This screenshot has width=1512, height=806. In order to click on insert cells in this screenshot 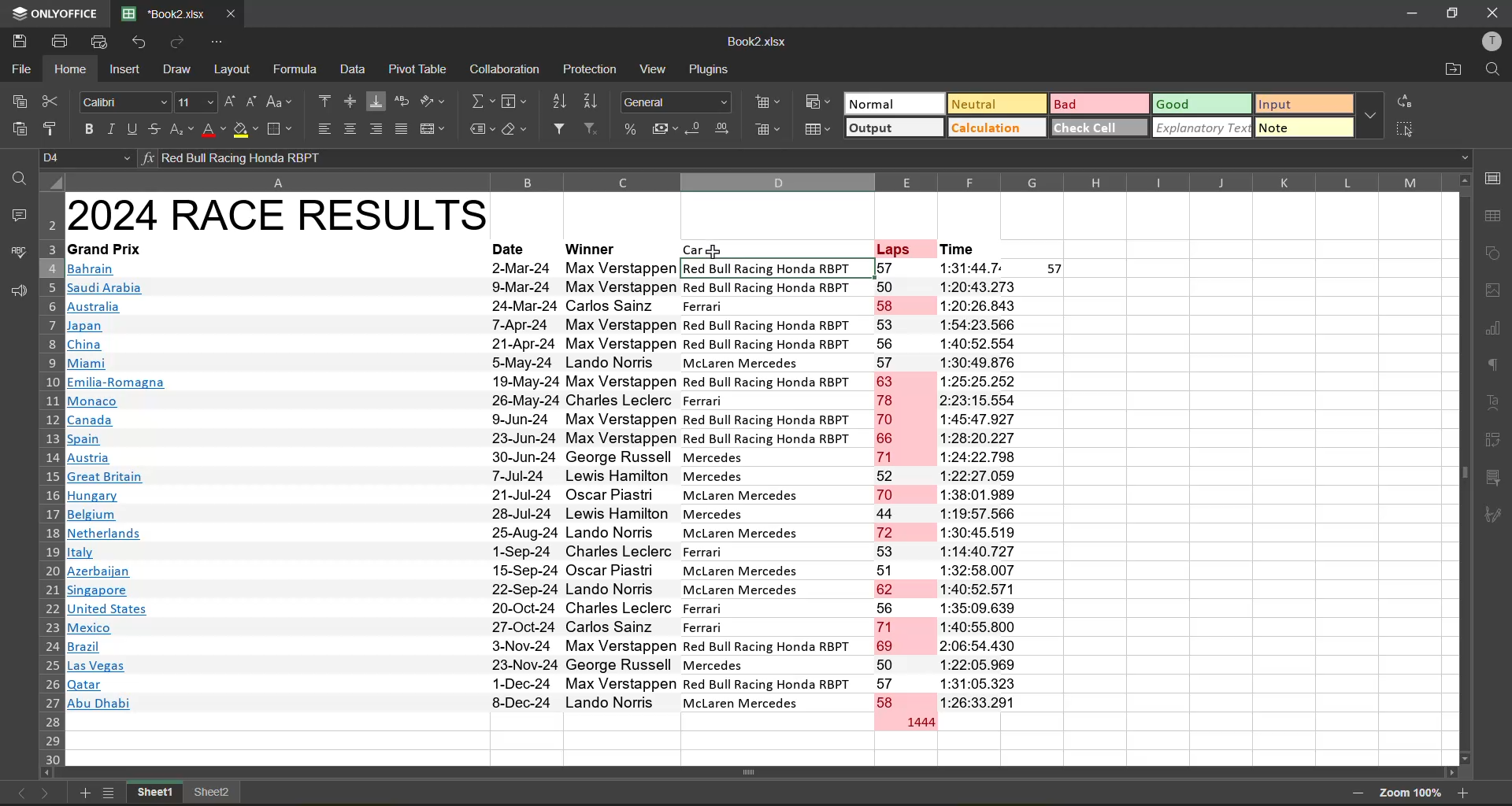, I will do `click(769, 105)`.